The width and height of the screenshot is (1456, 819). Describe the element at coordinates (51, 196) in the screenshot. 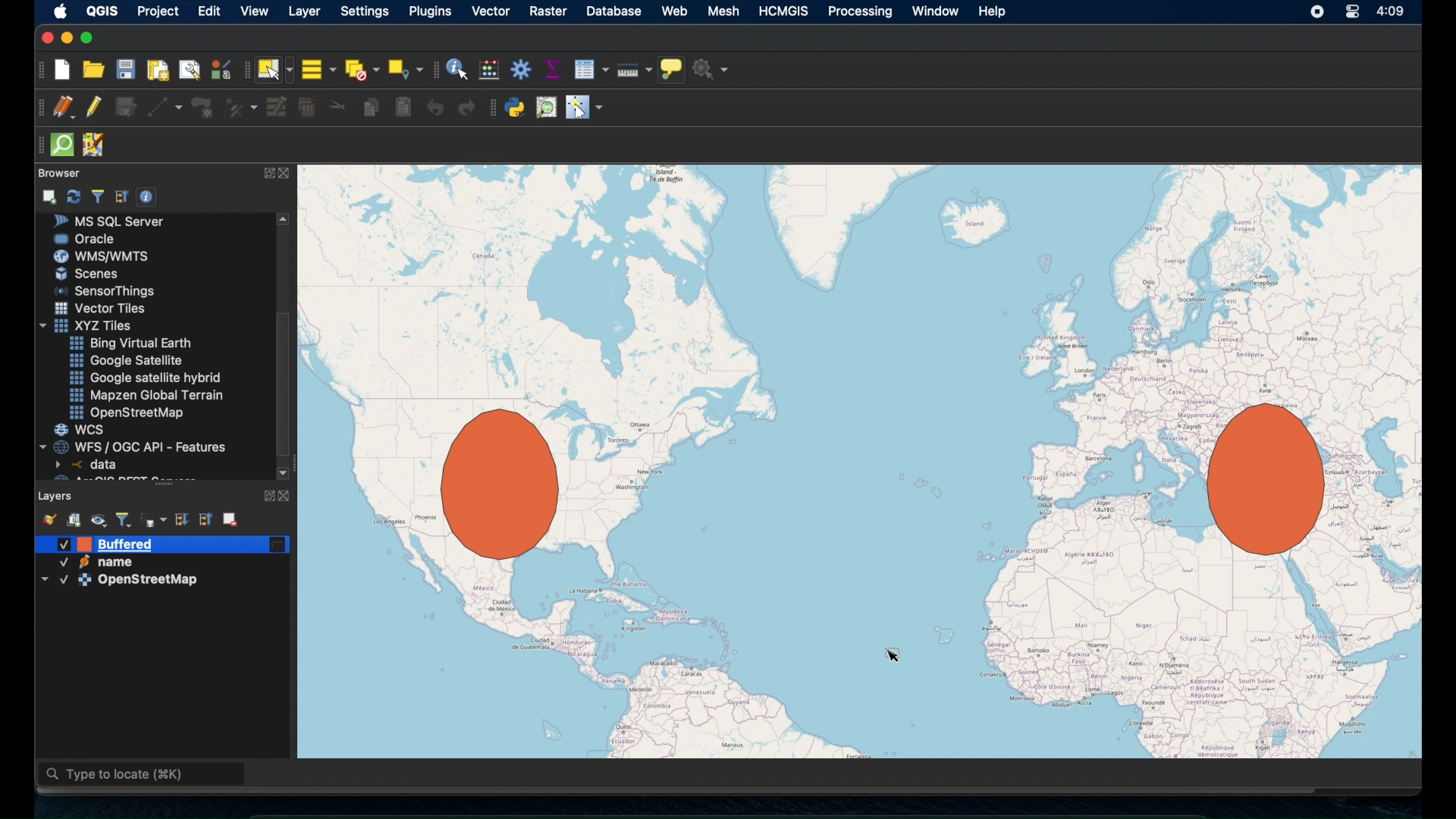

I see `add selected layers` at that location.